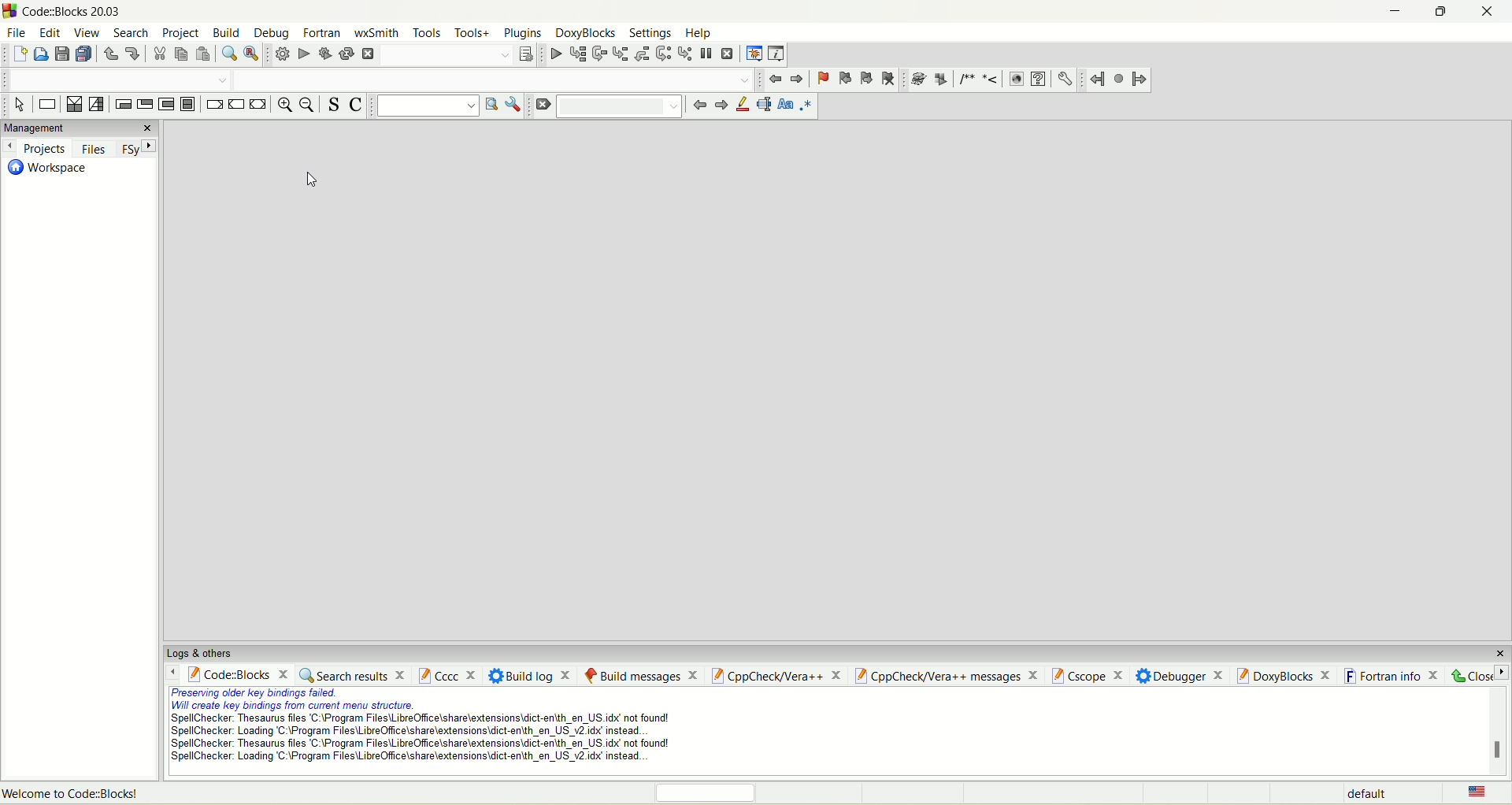  I want to click on save, so click(61, 54).